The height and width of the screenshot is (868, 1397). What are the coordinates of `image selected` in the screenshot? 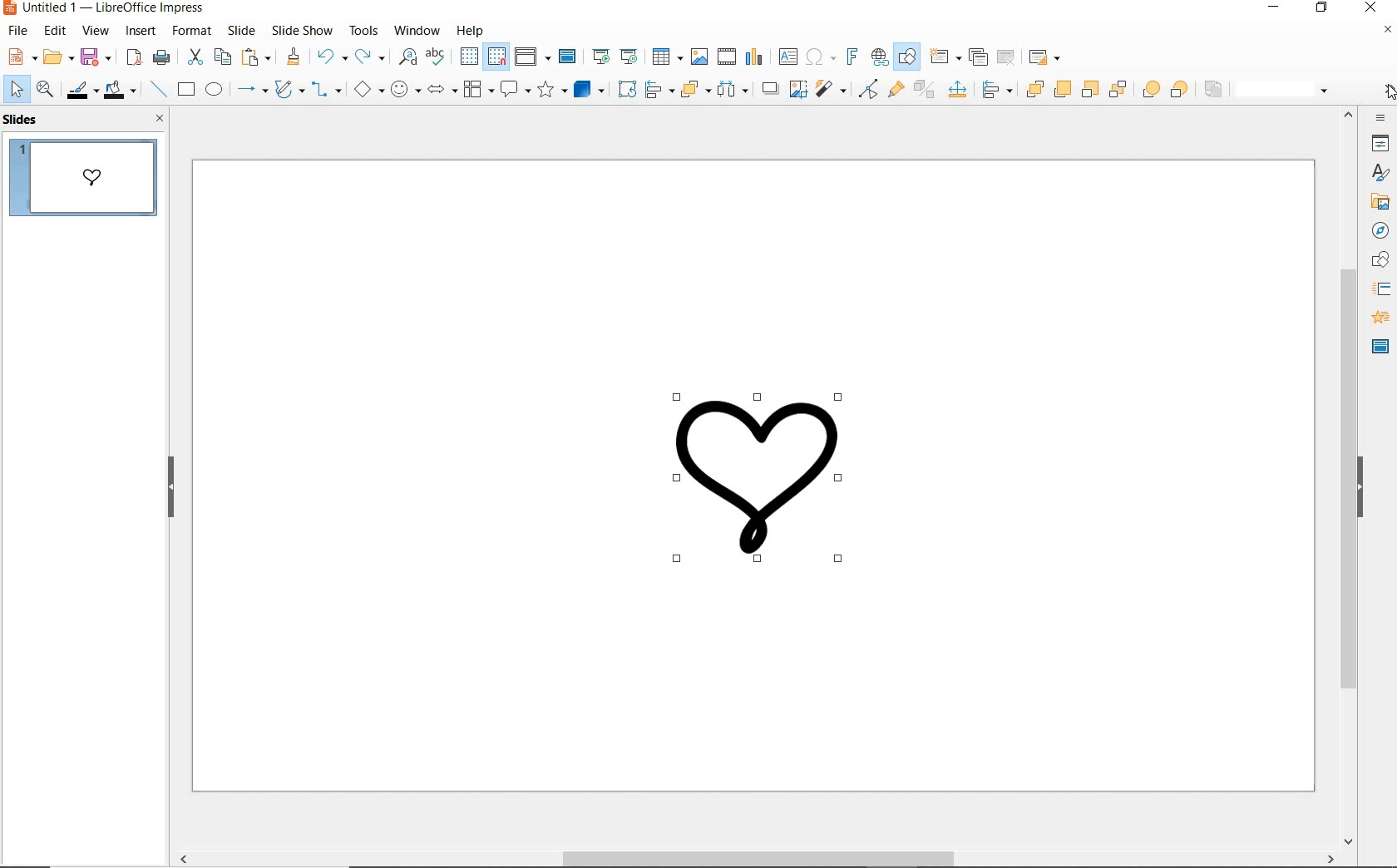 It's located at (761, 476).